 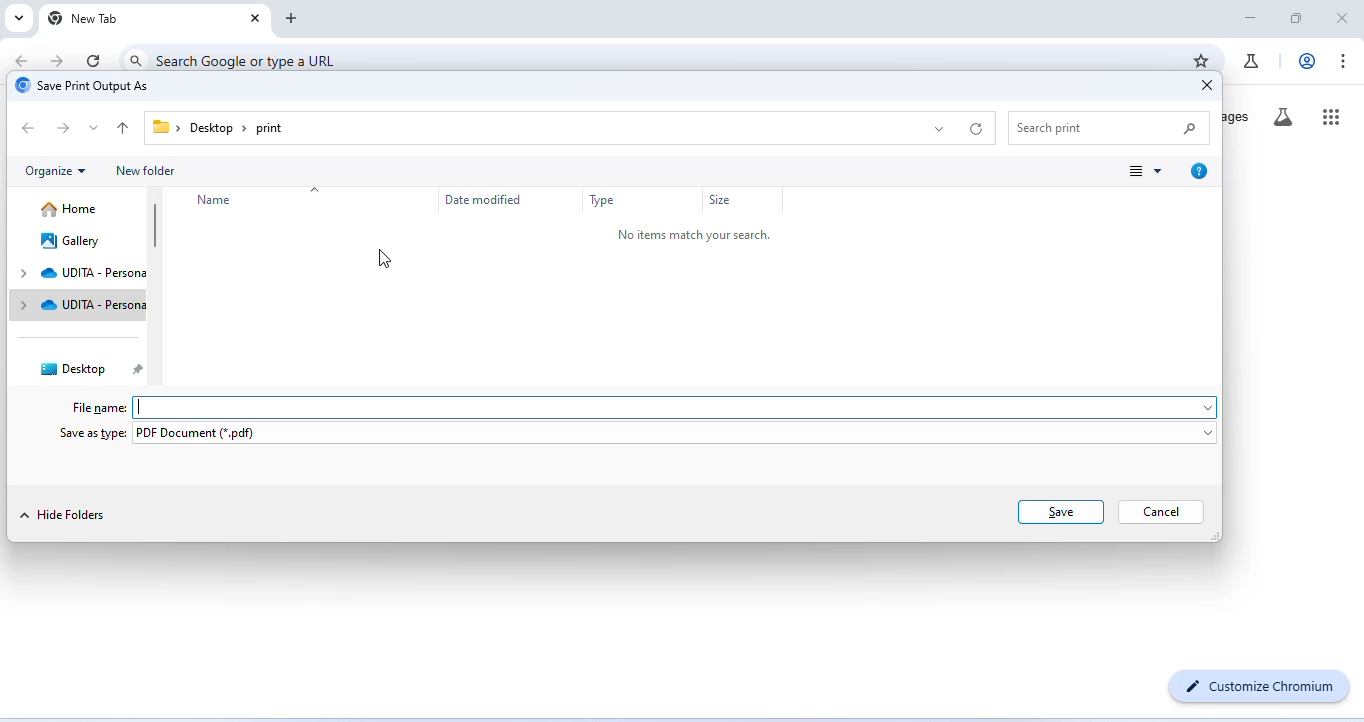 What do you see at coordinates (85, 19) in the screenshot?
I see `new tab` at bounding box center [85, 19].